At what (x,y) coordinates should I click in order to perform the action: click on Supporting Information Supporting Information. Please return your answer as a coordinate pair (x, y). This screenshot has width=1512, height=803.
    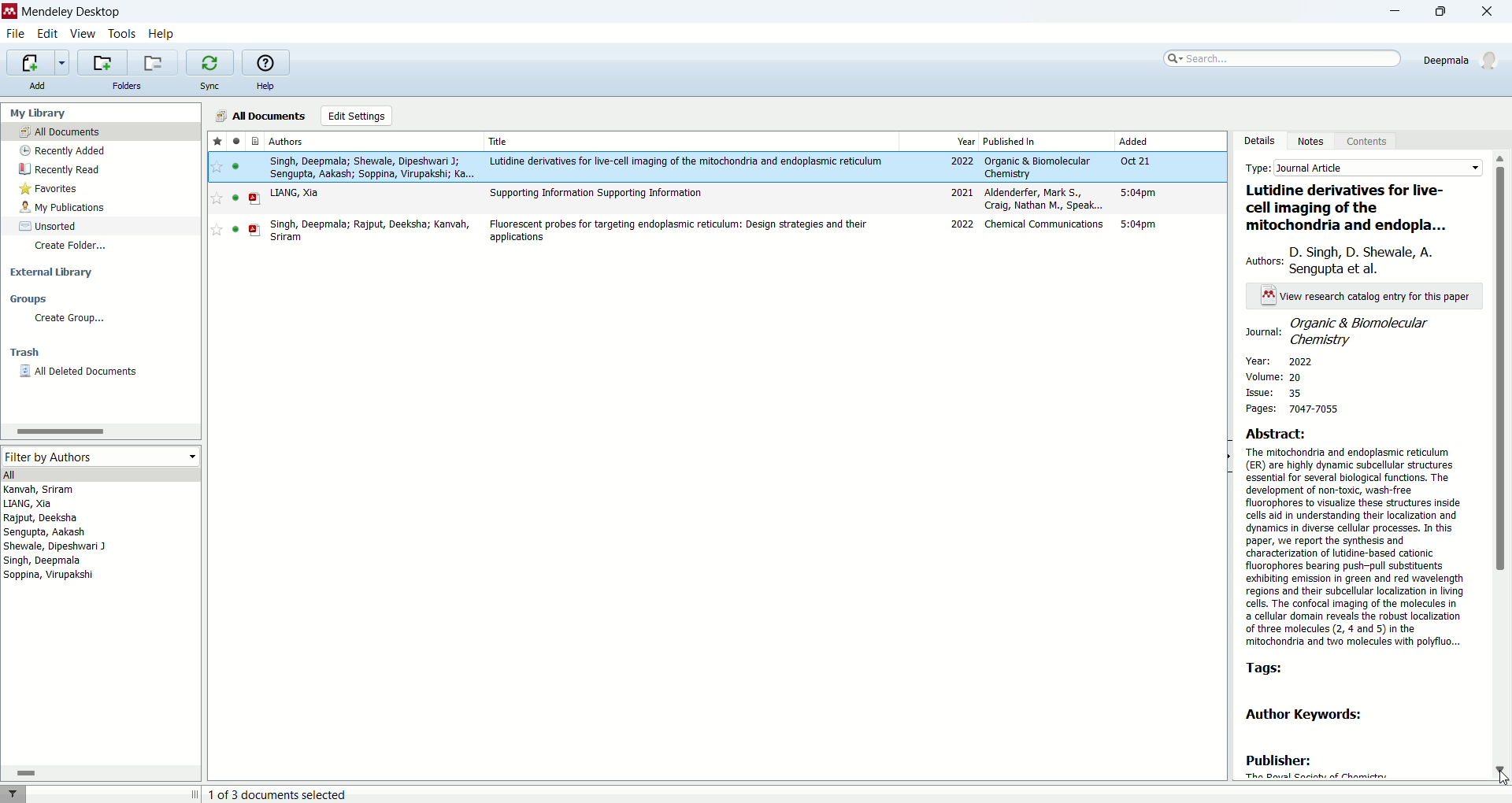
    Looking at the image, I should click on (597, 194).